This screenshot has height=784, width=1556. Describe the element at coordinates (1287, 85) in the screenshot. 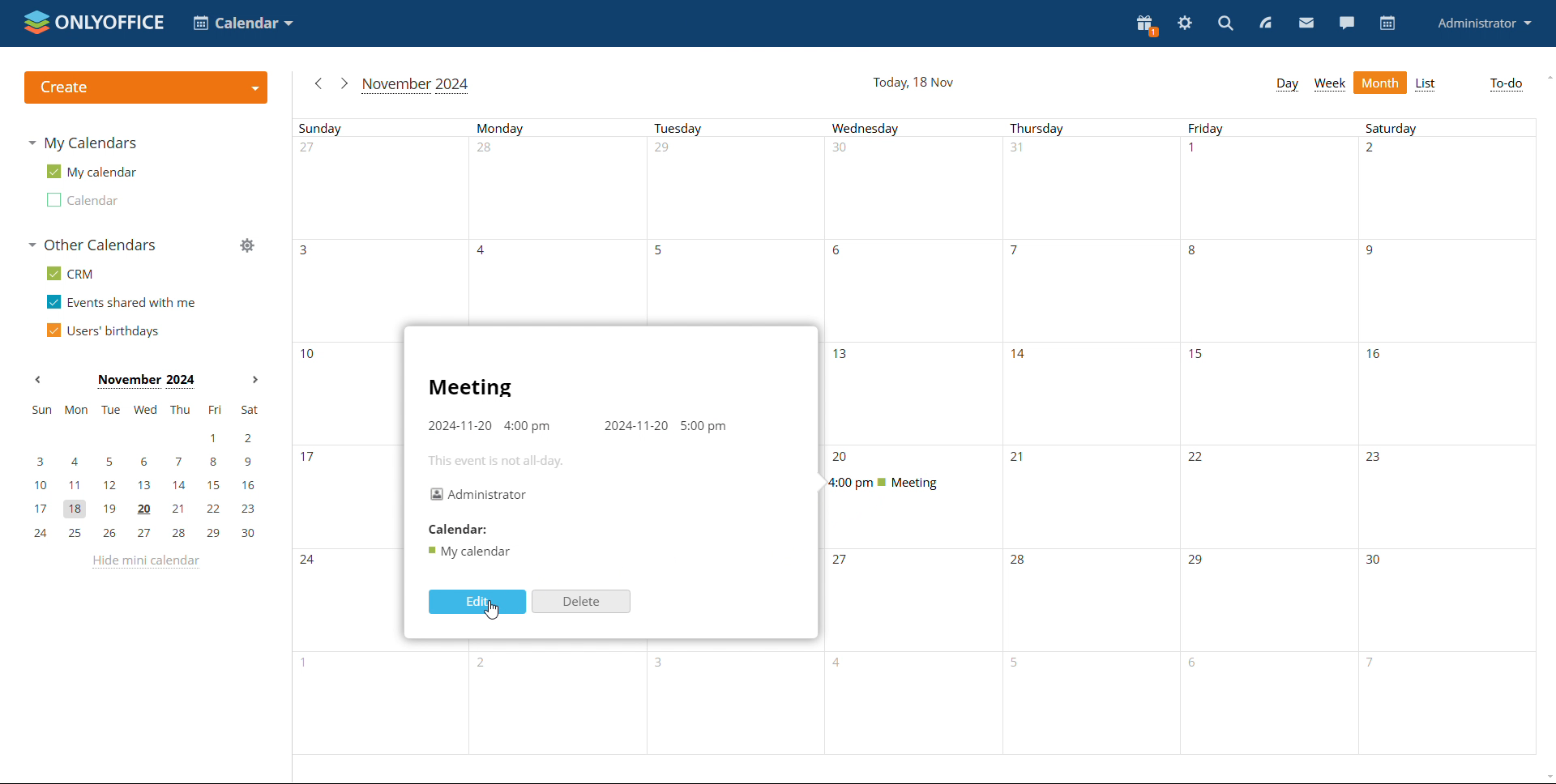

I see `day week` at that location.